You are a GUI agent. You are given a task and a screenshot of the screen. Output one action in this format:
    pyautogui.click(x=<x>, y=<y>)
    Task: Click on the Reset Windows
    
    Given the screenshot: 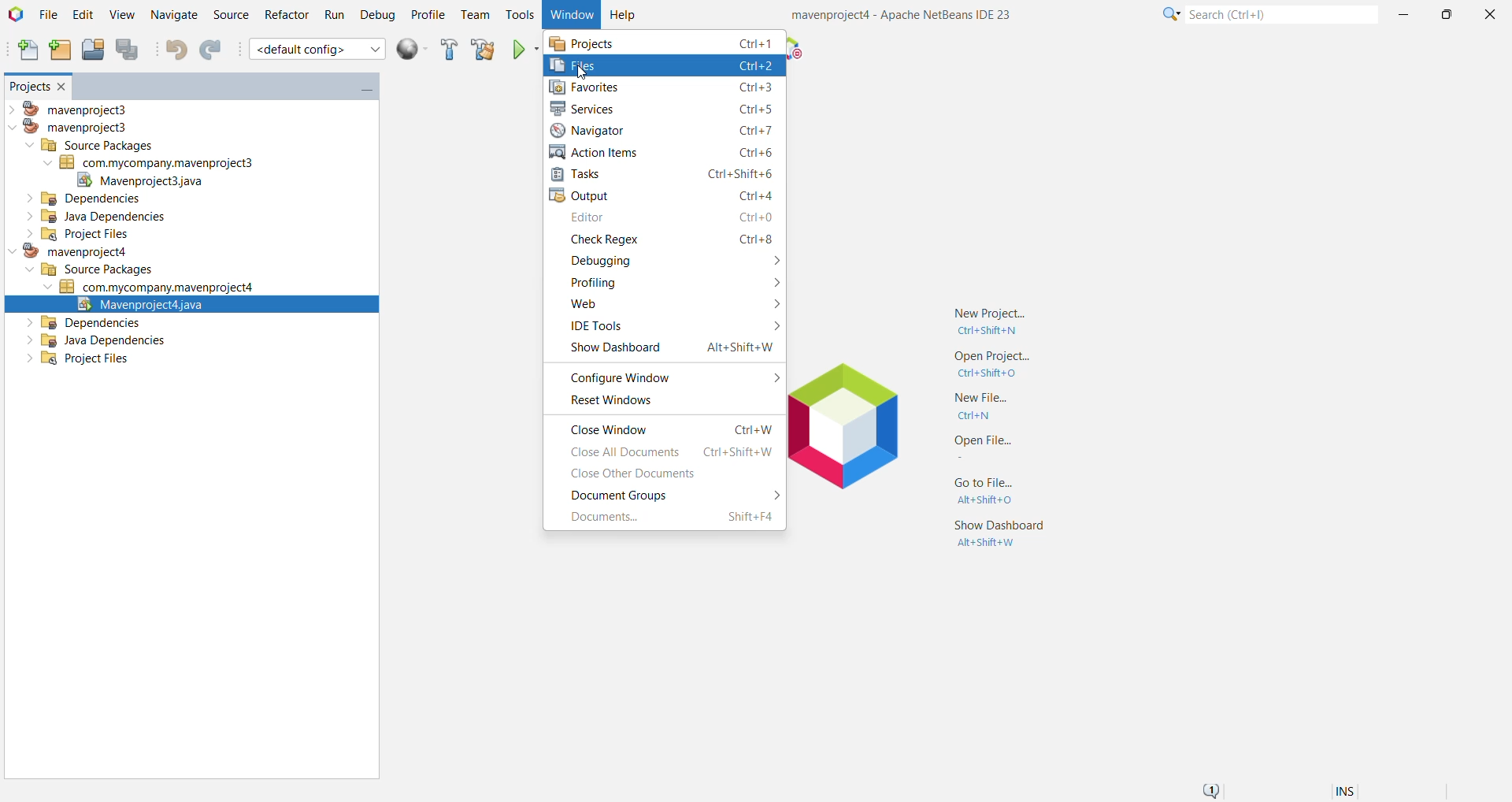 What is the action you would take?
    pyautogui.click(x=610, y=402)
    